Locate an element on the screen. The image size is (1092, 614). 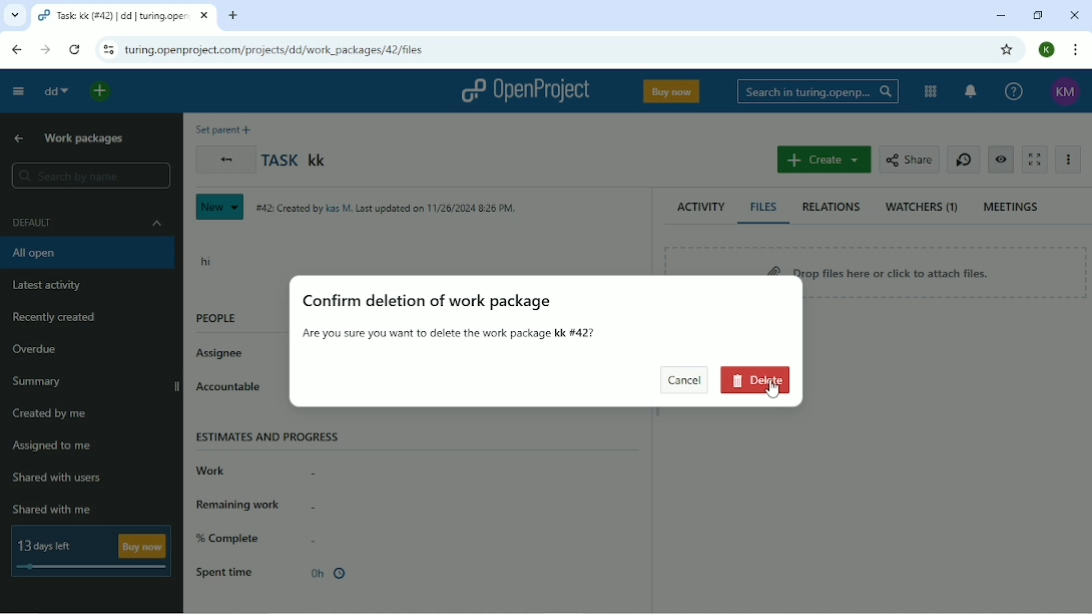
Collapse project menu is located at coordinates (18, 93).